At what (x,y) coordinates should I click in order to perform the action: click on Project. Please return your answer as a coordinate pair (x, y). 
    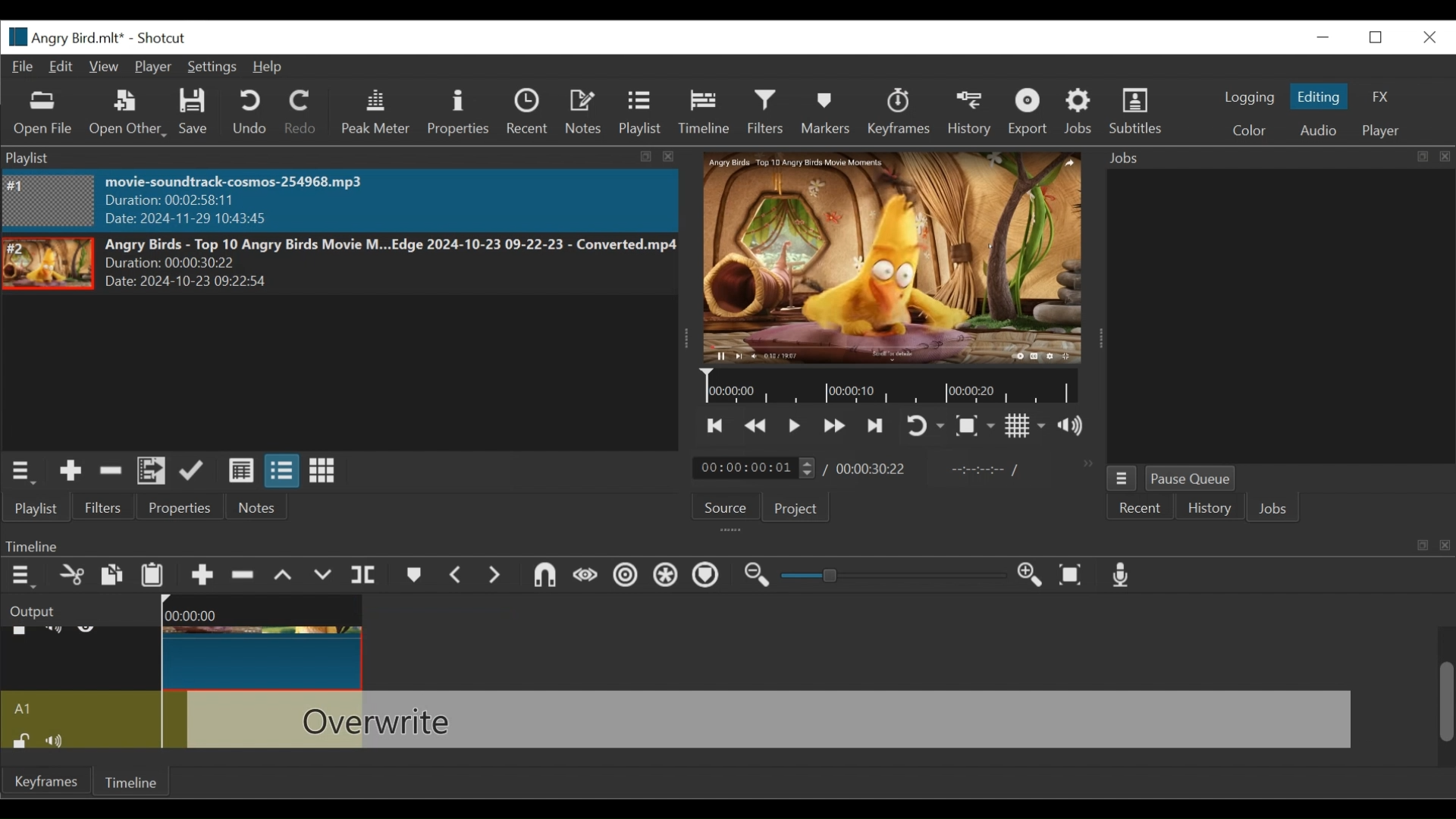
    Looking at the image, I should click on (794, 508).